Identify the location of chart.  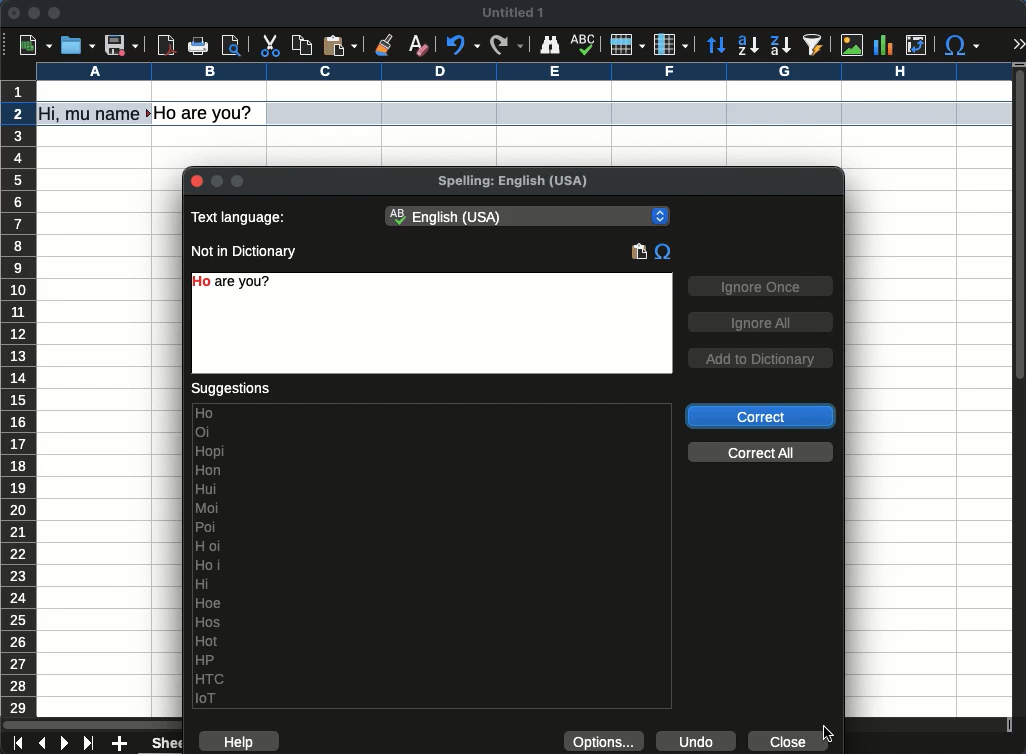
(882, 45).